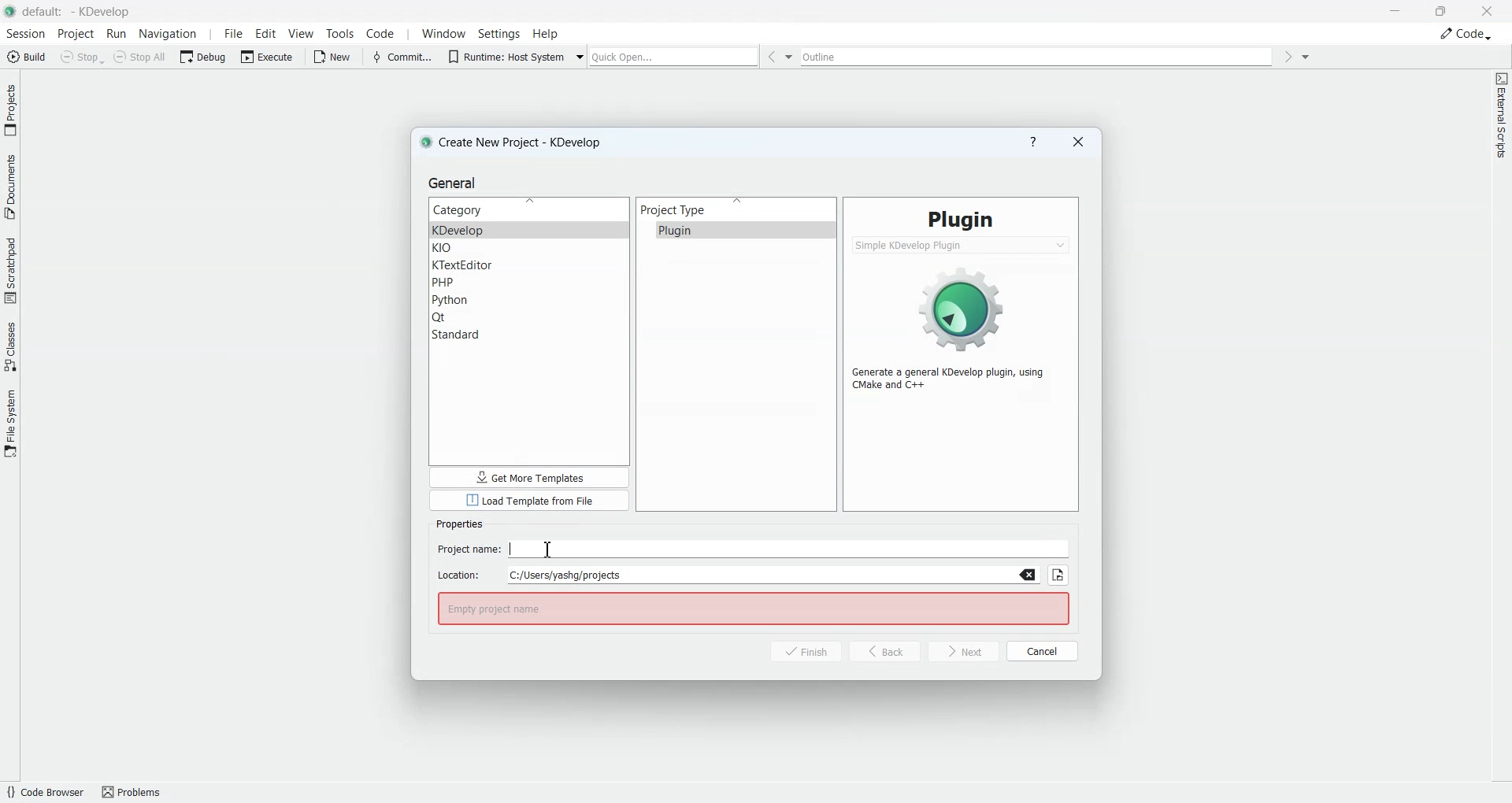 The image size is (1512, 803). Describe the element at coordinates (441, 34) in the screenshot. I see `Window` at that location.